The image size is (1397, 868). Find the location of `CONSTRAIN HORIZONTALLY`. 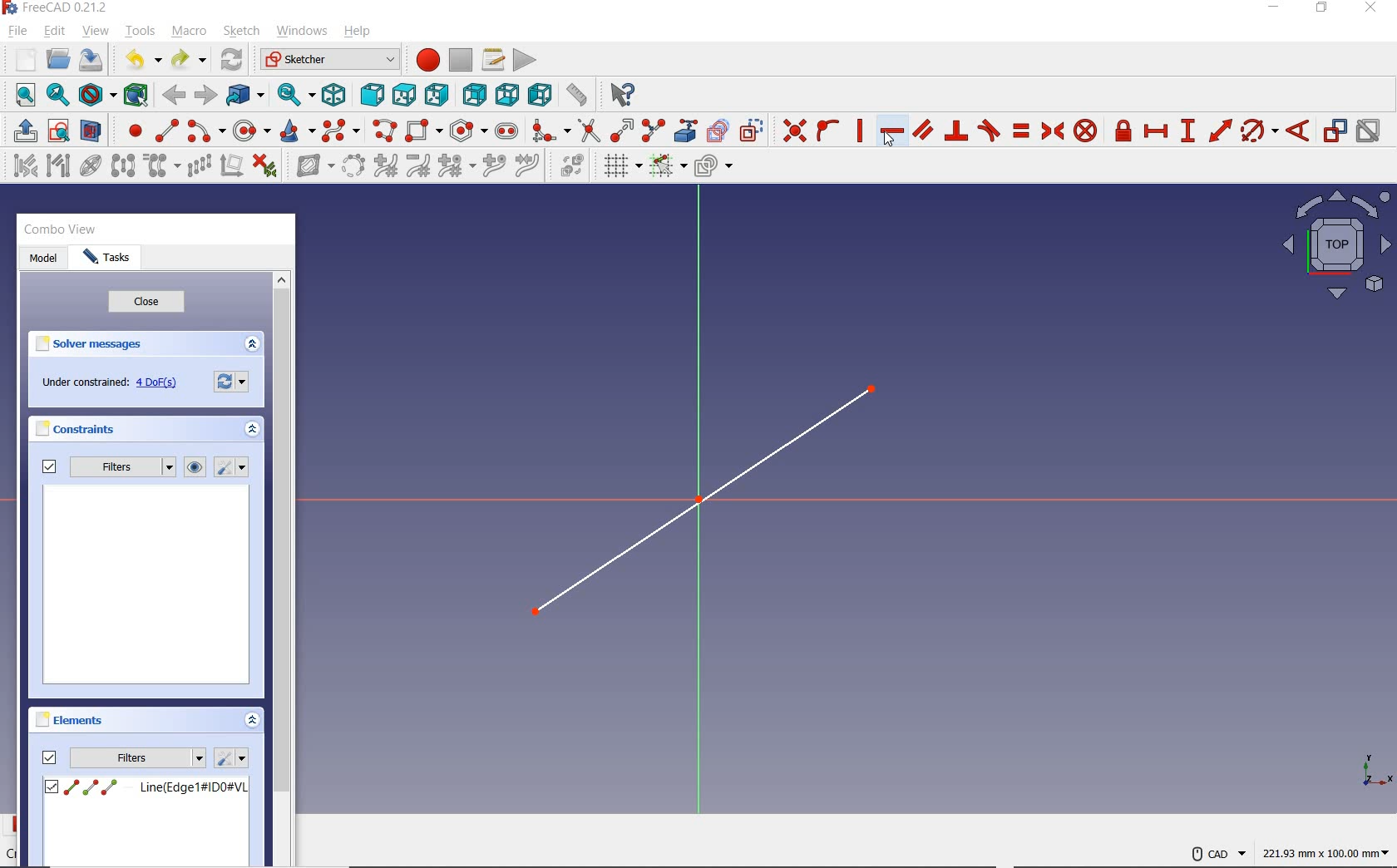

CONSTRAIN HORIZONTALLY is located at coordinates (891, 131).